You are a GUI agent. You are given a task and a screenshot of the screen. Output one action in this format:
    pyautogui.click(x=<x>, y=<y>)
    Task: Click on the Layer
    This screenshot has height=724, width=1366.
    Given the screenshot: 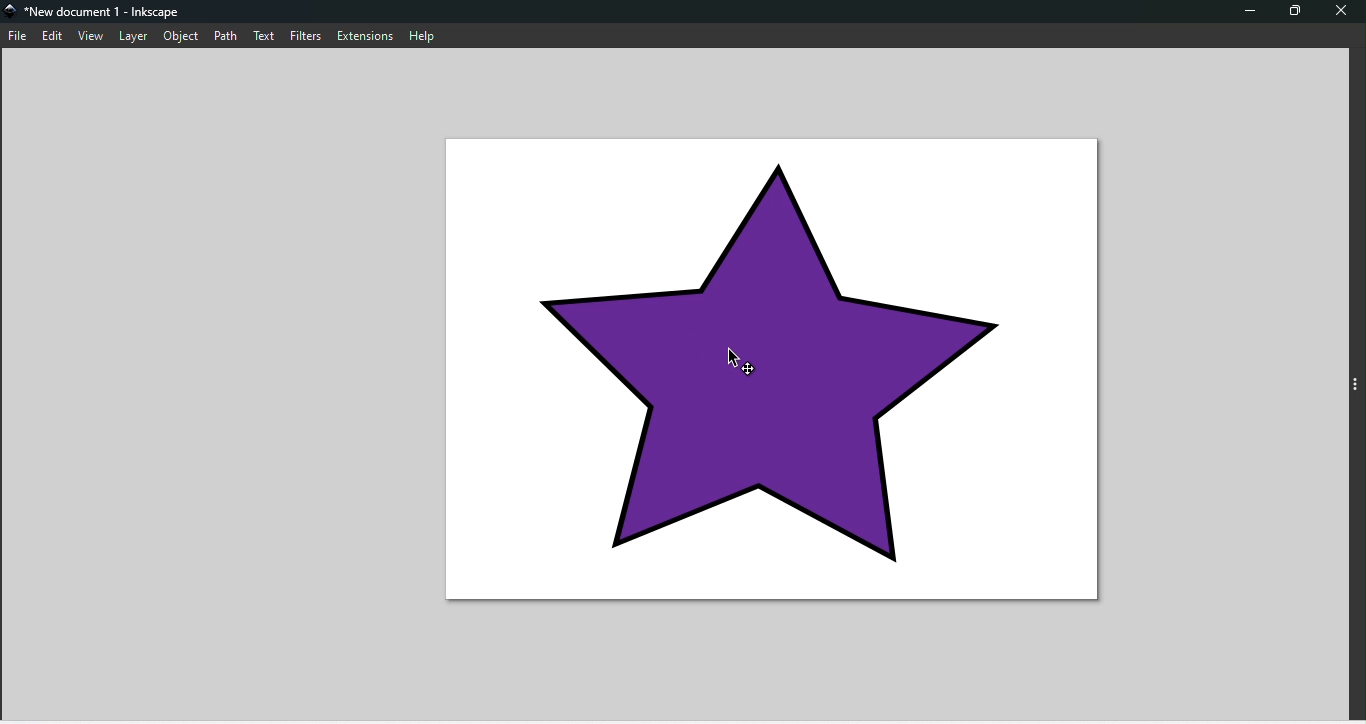 What is the action you would take?
    pyautogui.click(x=136, y=36)
    